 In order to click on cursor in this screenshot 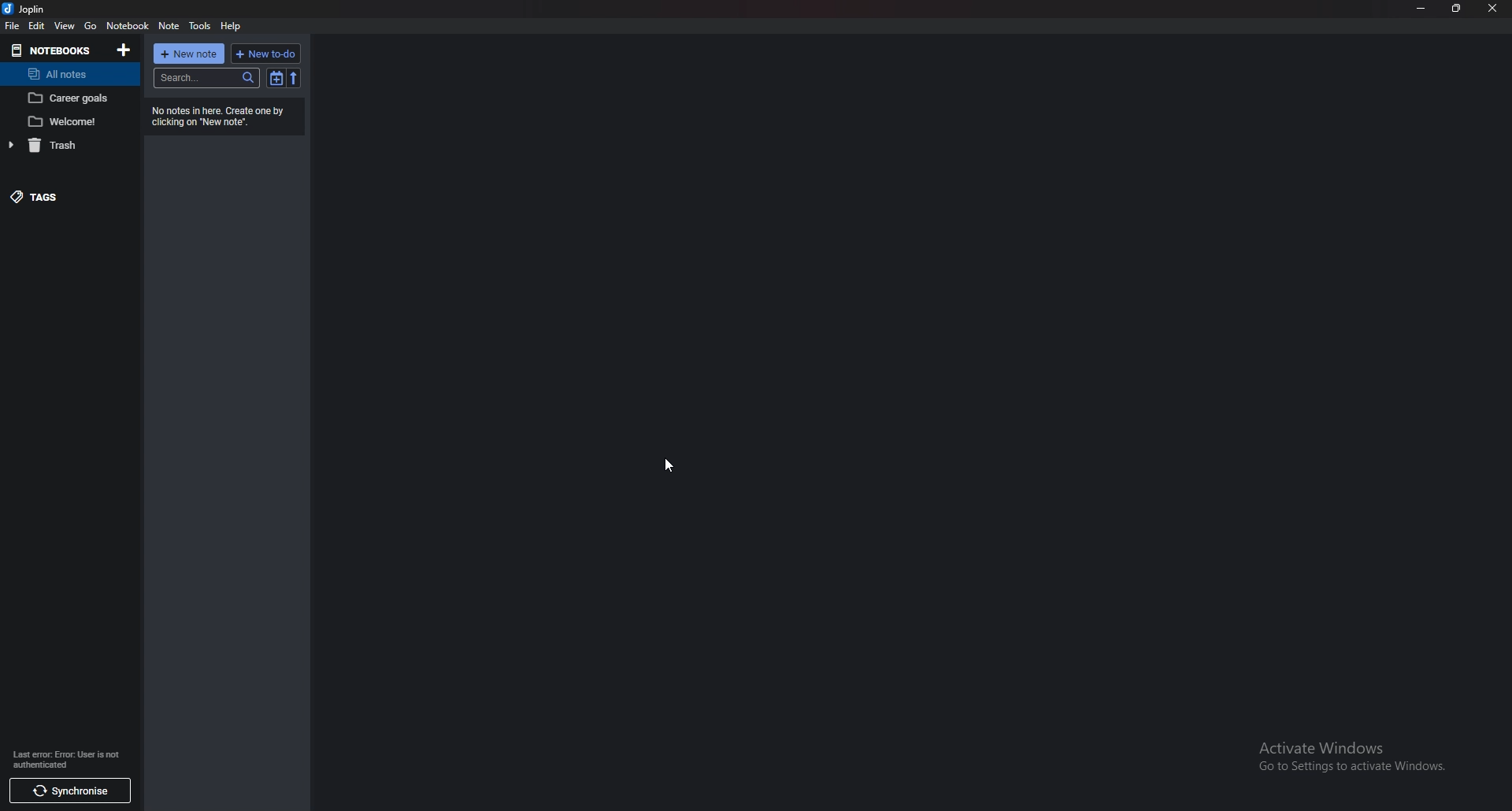, I will do `click(669, 462)`.